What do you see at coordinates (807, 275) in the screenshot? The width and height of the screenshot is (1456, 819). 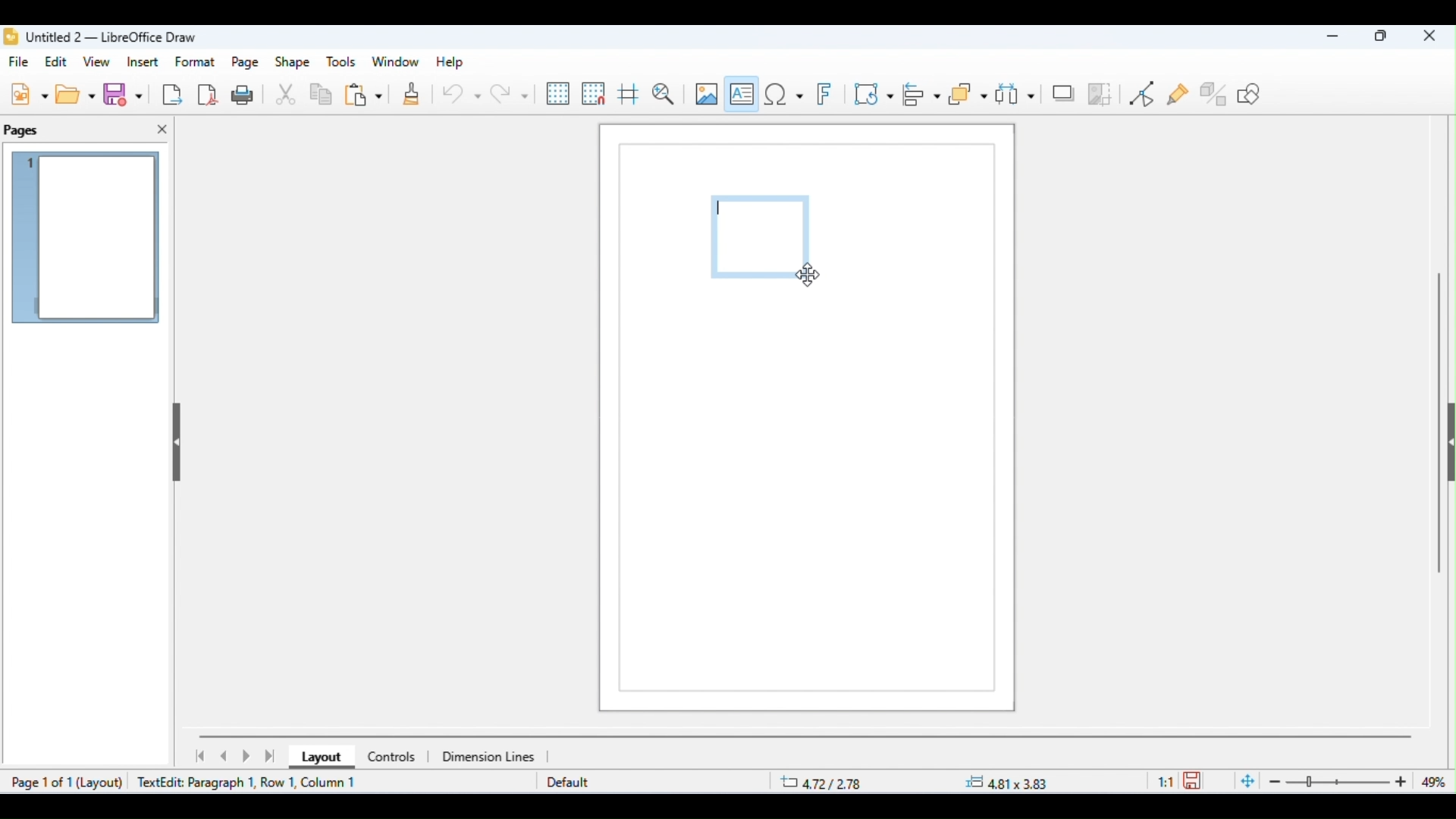 I see `cursor` at bounding box center [807, 275].